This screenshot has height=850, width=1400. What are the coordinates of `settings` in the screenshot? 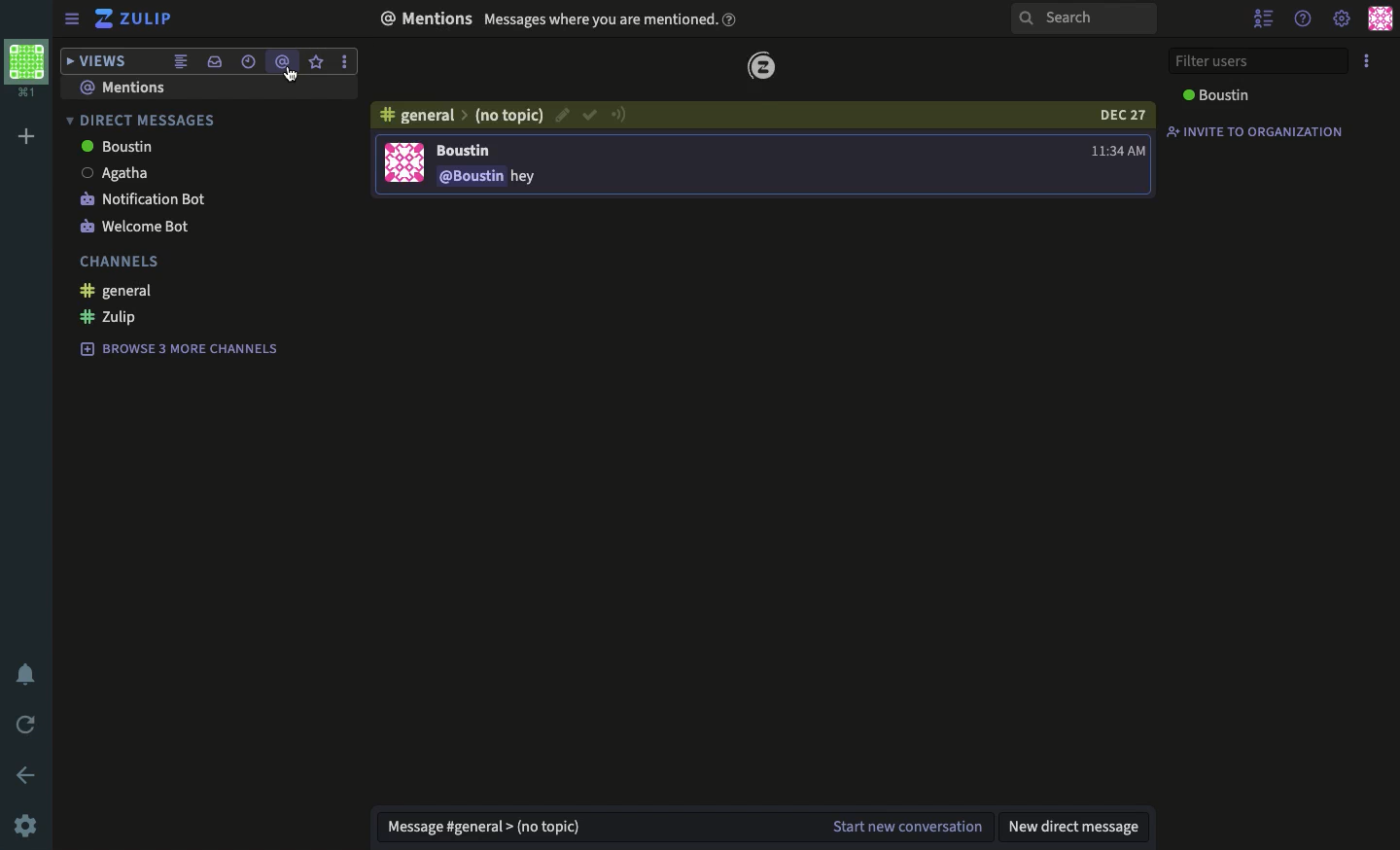 It's located at (1341, 19).